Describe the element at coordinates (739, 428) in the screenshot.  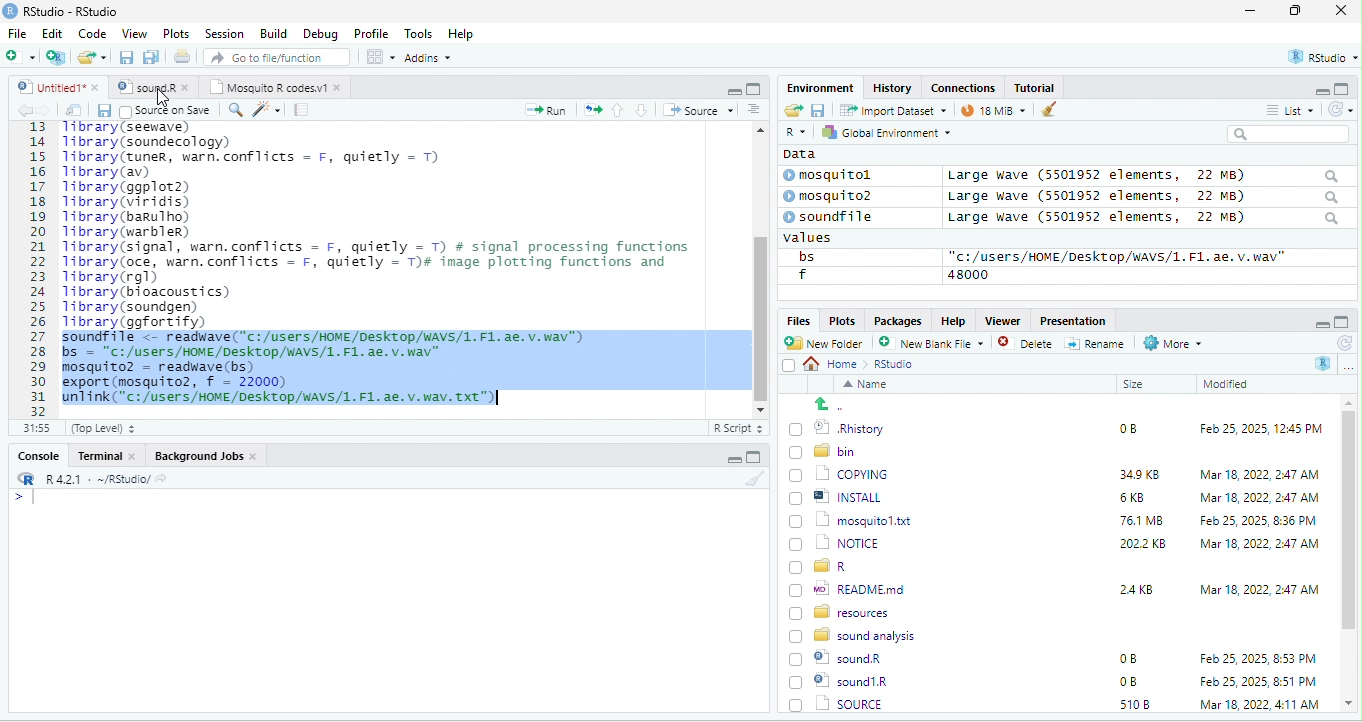
I see `R Script 5` at that location.